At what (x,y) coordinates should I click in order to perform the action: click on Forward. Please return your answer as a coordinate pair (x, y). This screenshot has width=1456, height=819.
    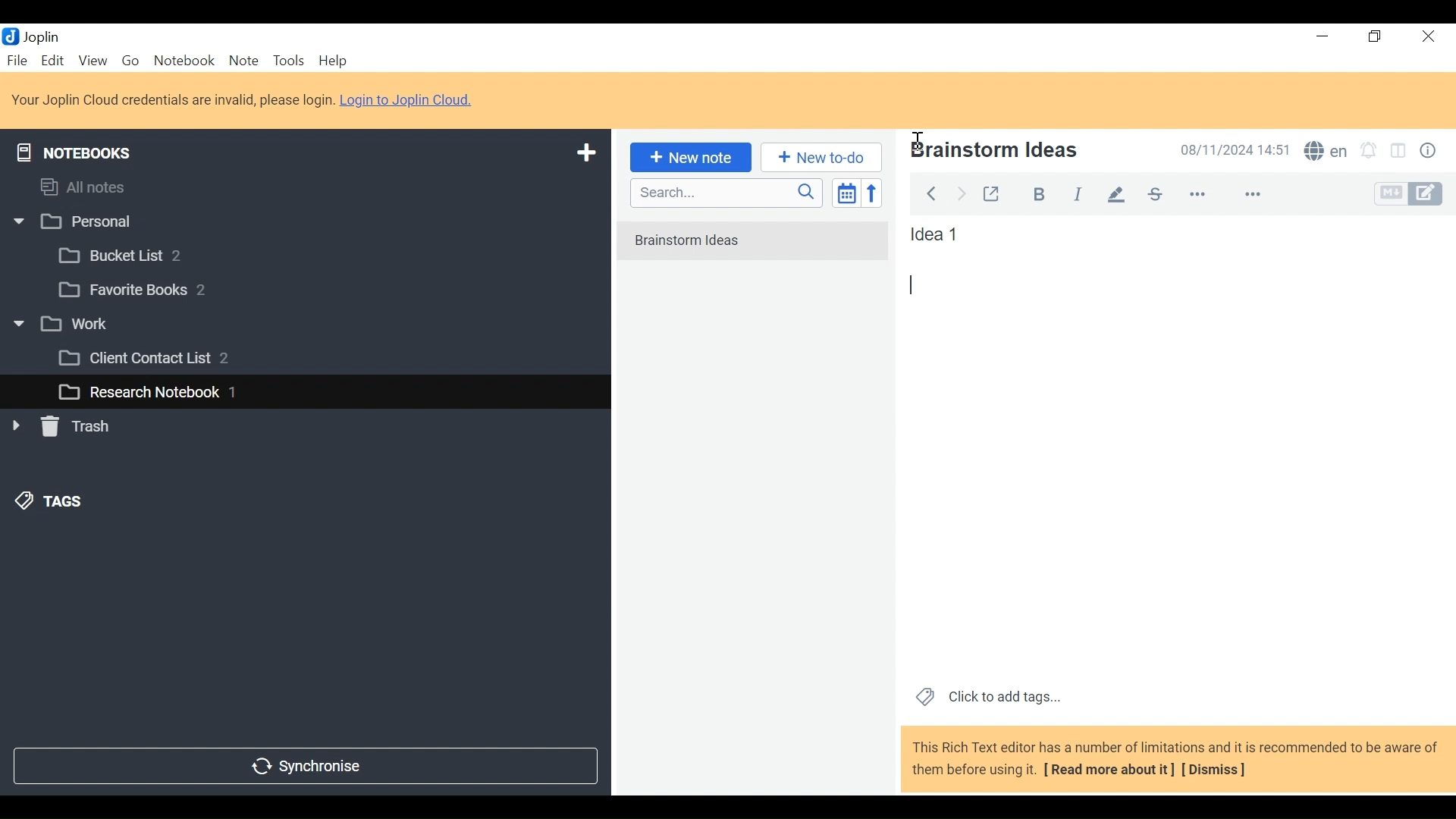
    Looking at the image, I should click on (962, 192).